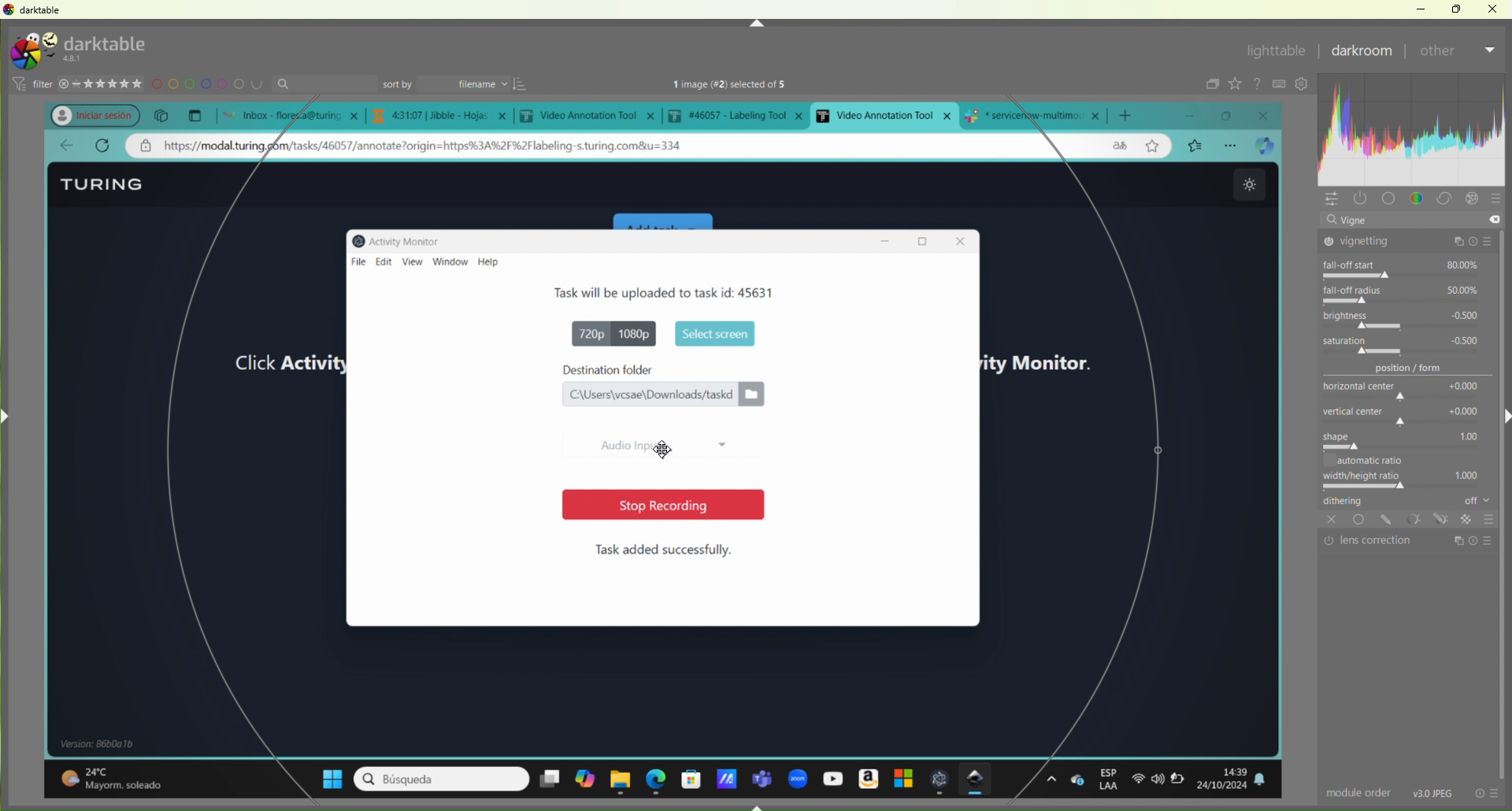 This screenshot has height=811, width=1512. I want to click on youtube, so click(830, 778).